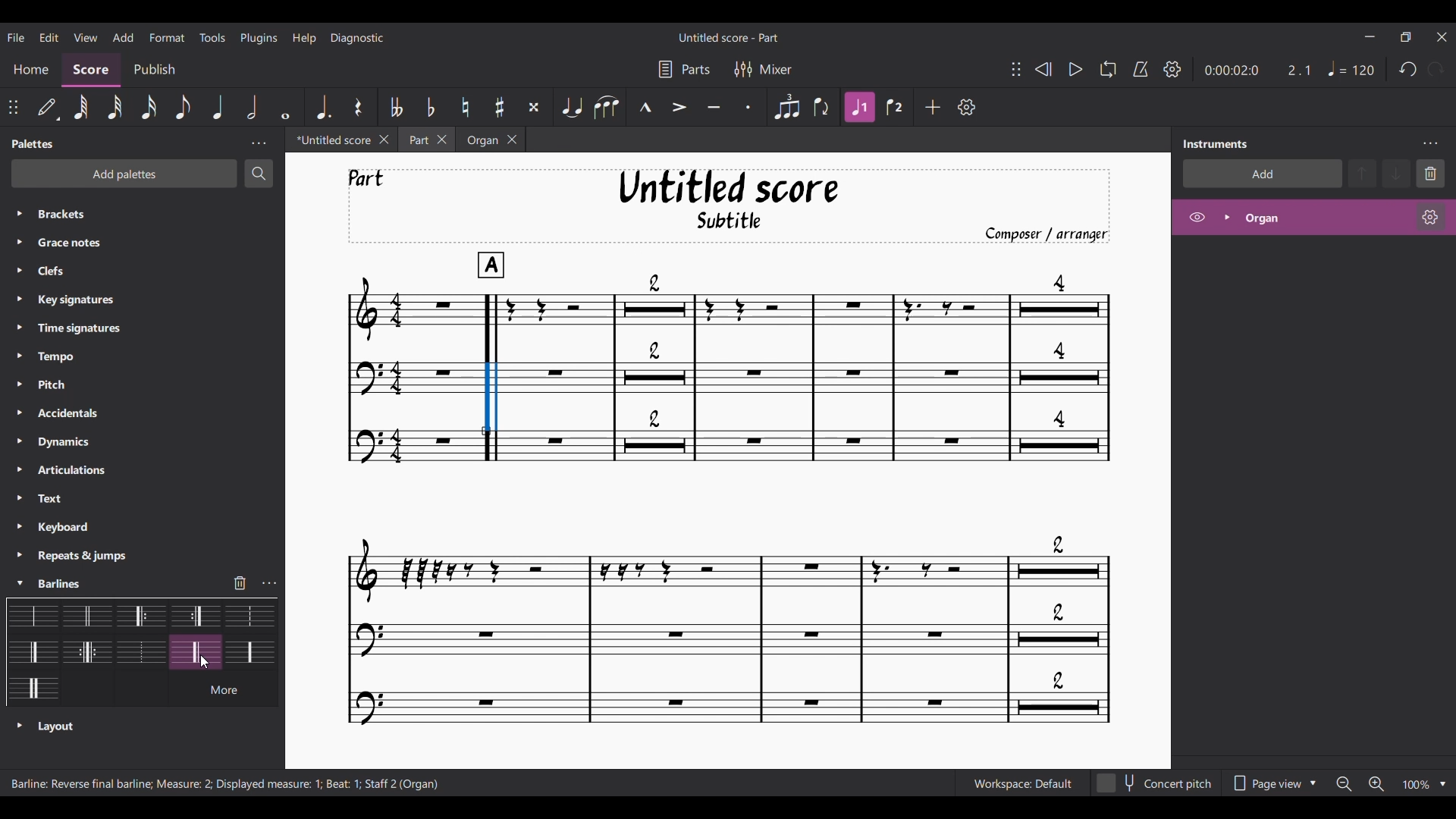 This screenshot has width=1456, height=819. I want to click on List of palette under Palette, so click(156, 386).